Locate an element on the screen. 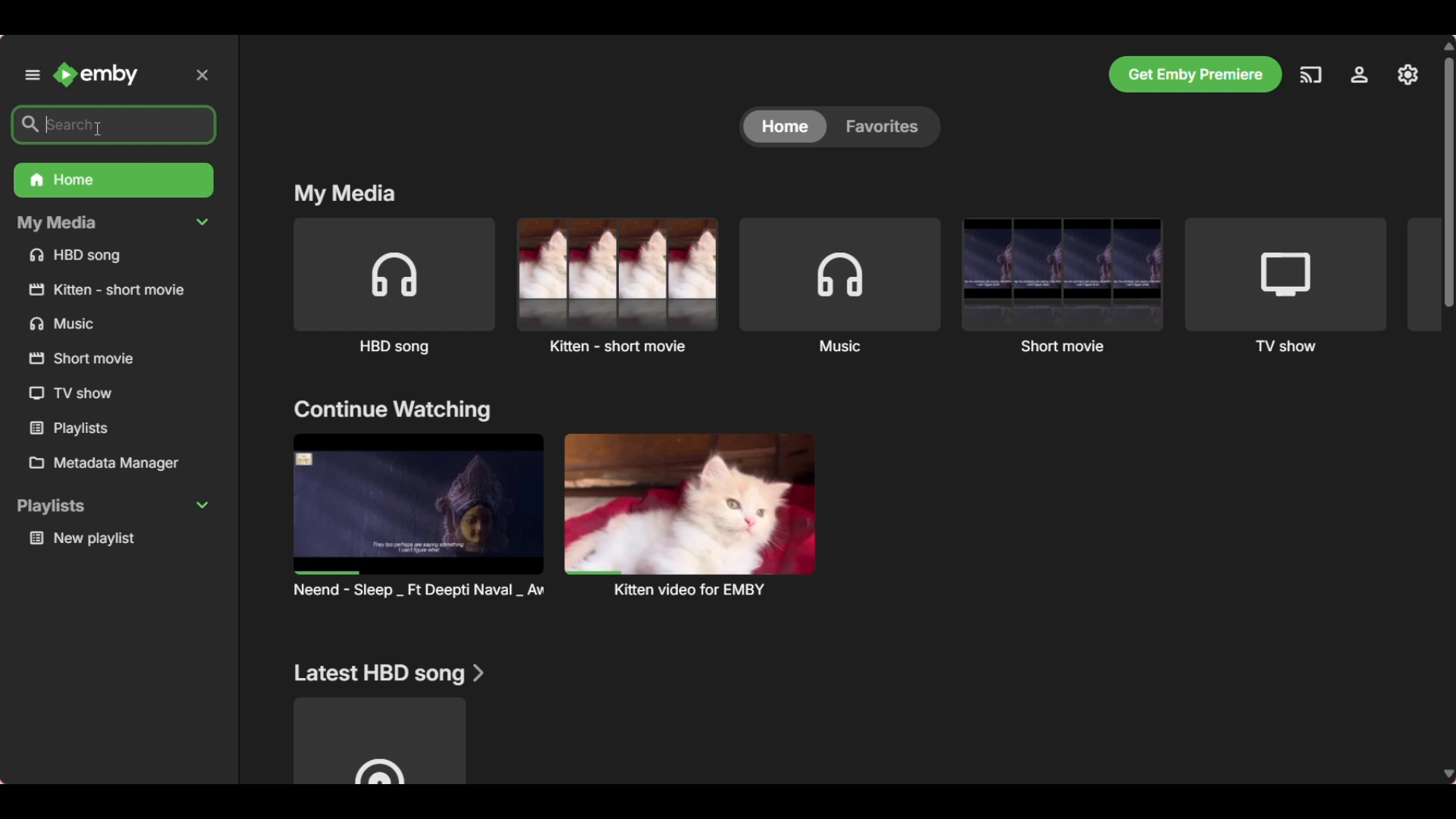 The height and width of the screenshot is (819, 1456). Get Emby premier is located at coordinates (1197, 74).